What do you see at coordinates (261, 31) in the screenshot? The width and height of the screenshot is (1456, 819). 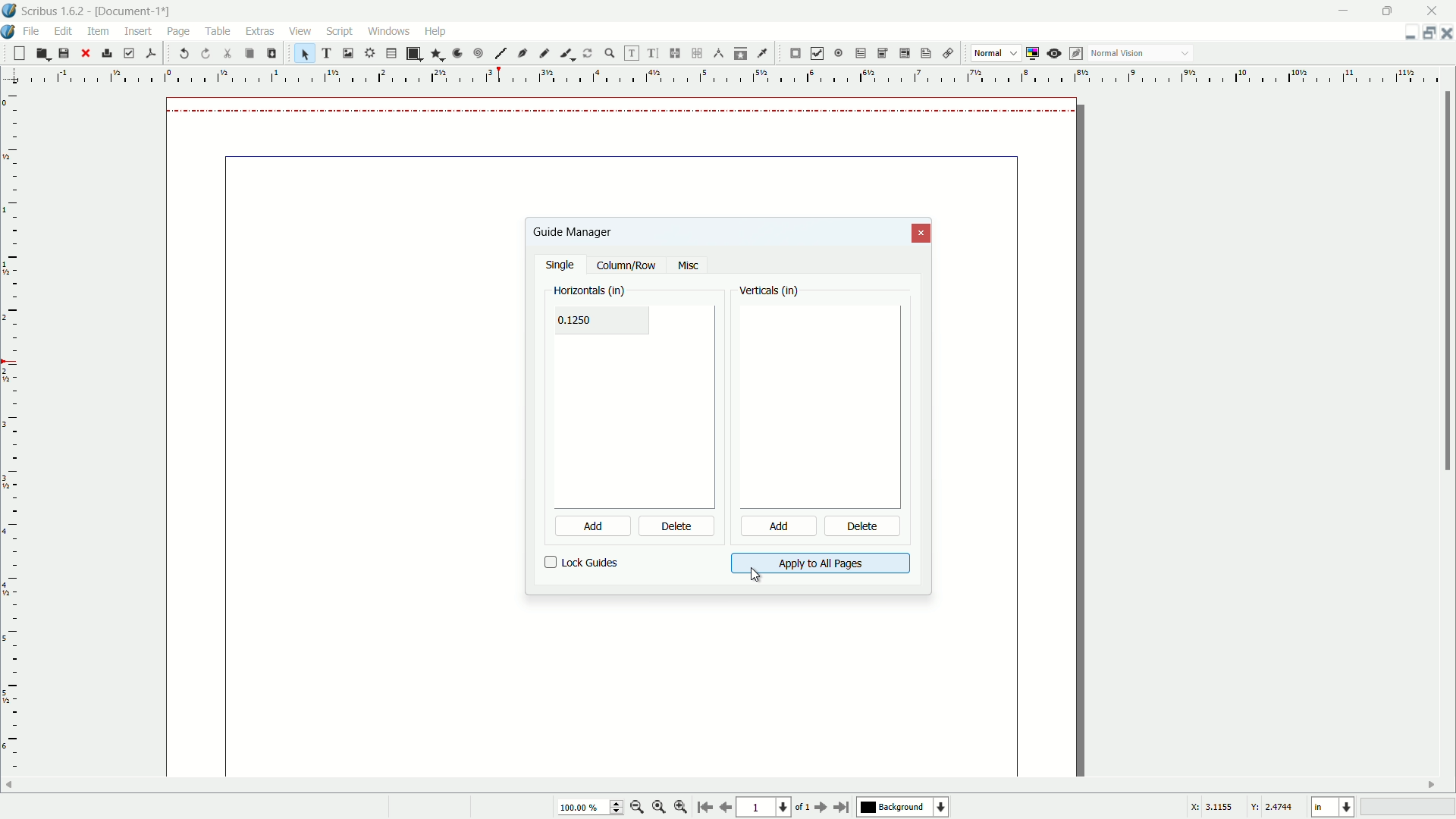 I see `extras menu` at bounding box center [261, 31].